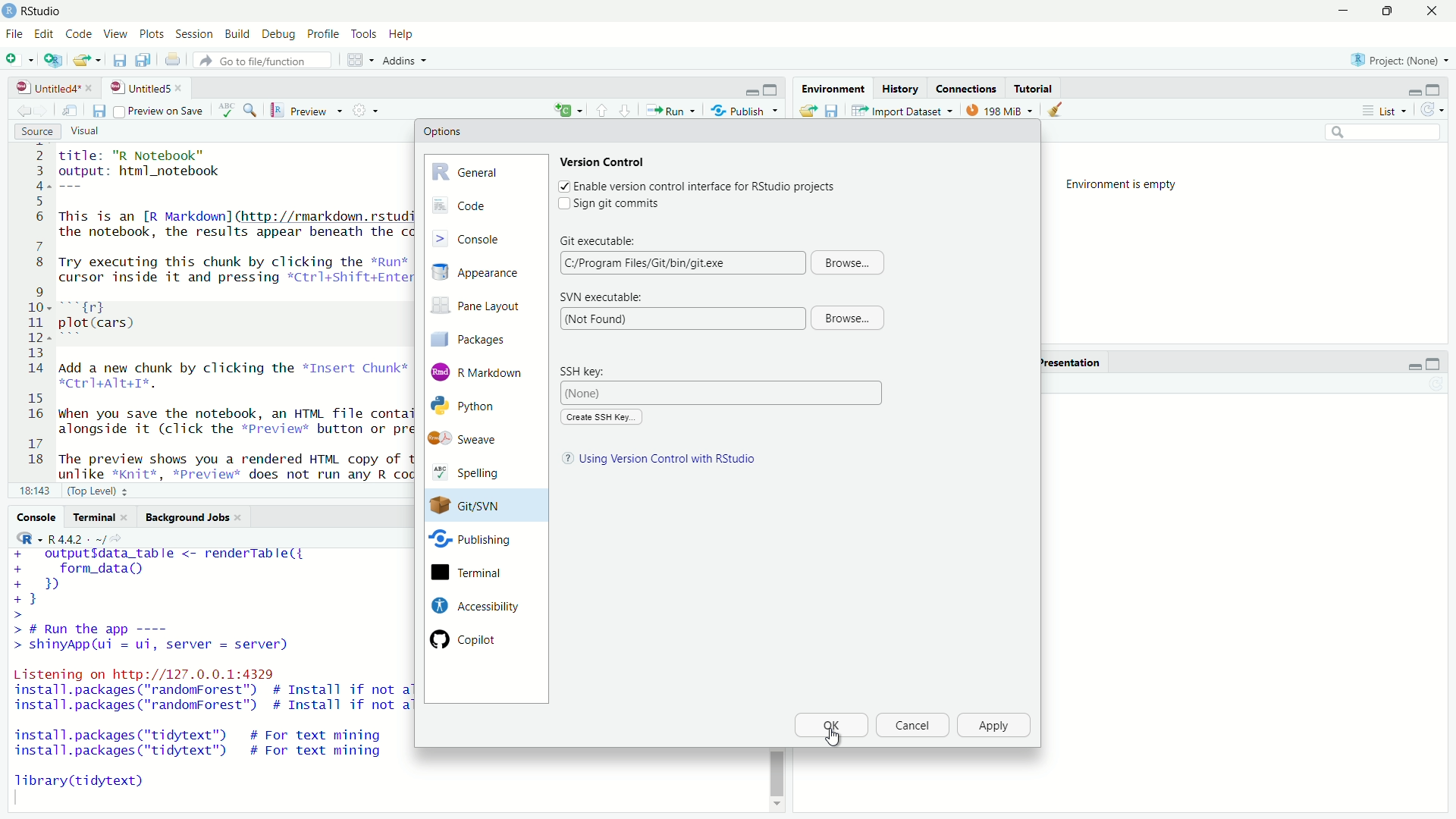 The height and width of the screenshot is (819, 1456). Describe the element at coordinates (1395, 58) in the screenshot. I see `Project: (None) ` at that location.